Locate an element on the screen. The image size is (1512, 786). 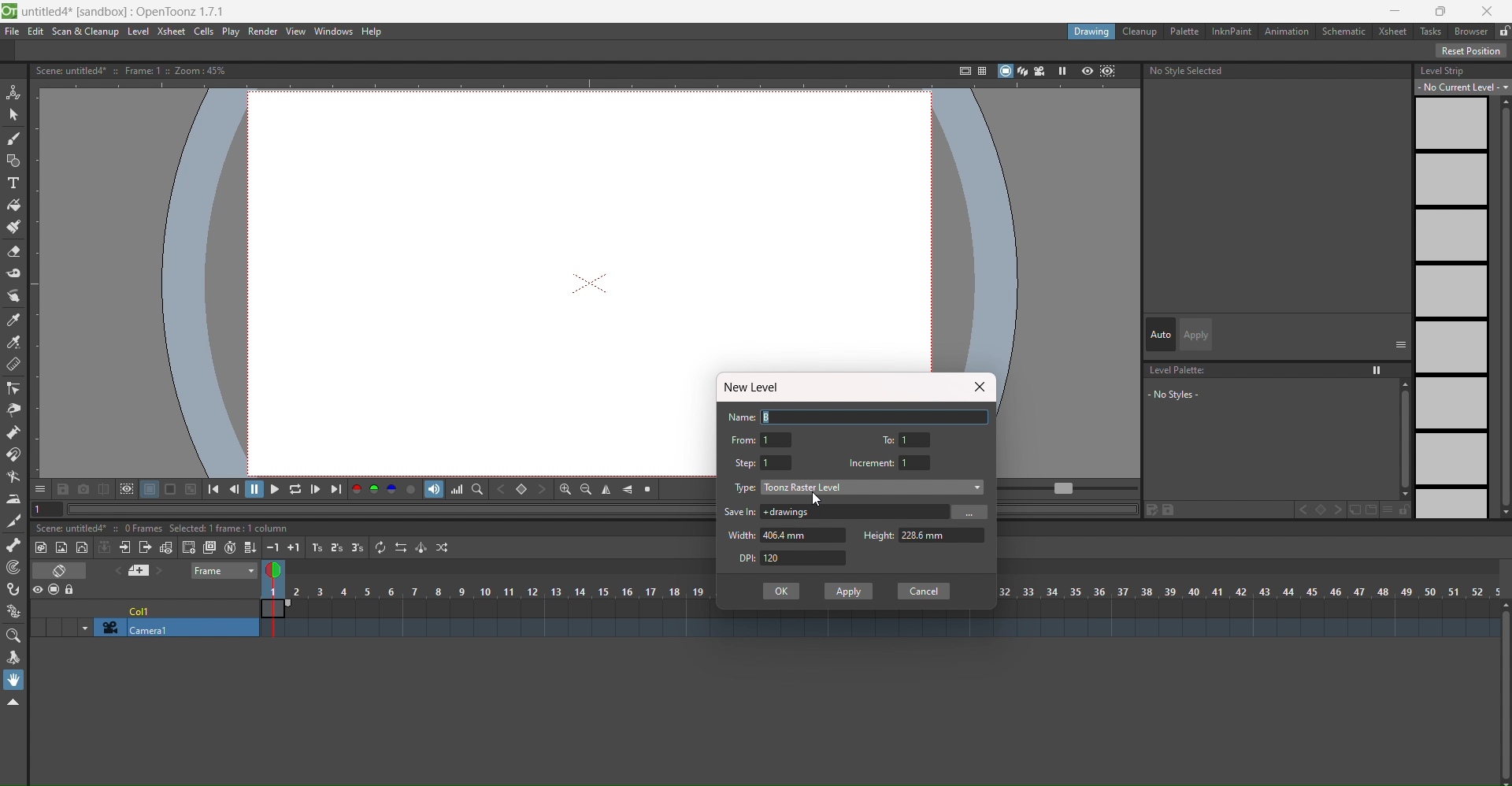
geometric tool is located at coordinates (13, 162).